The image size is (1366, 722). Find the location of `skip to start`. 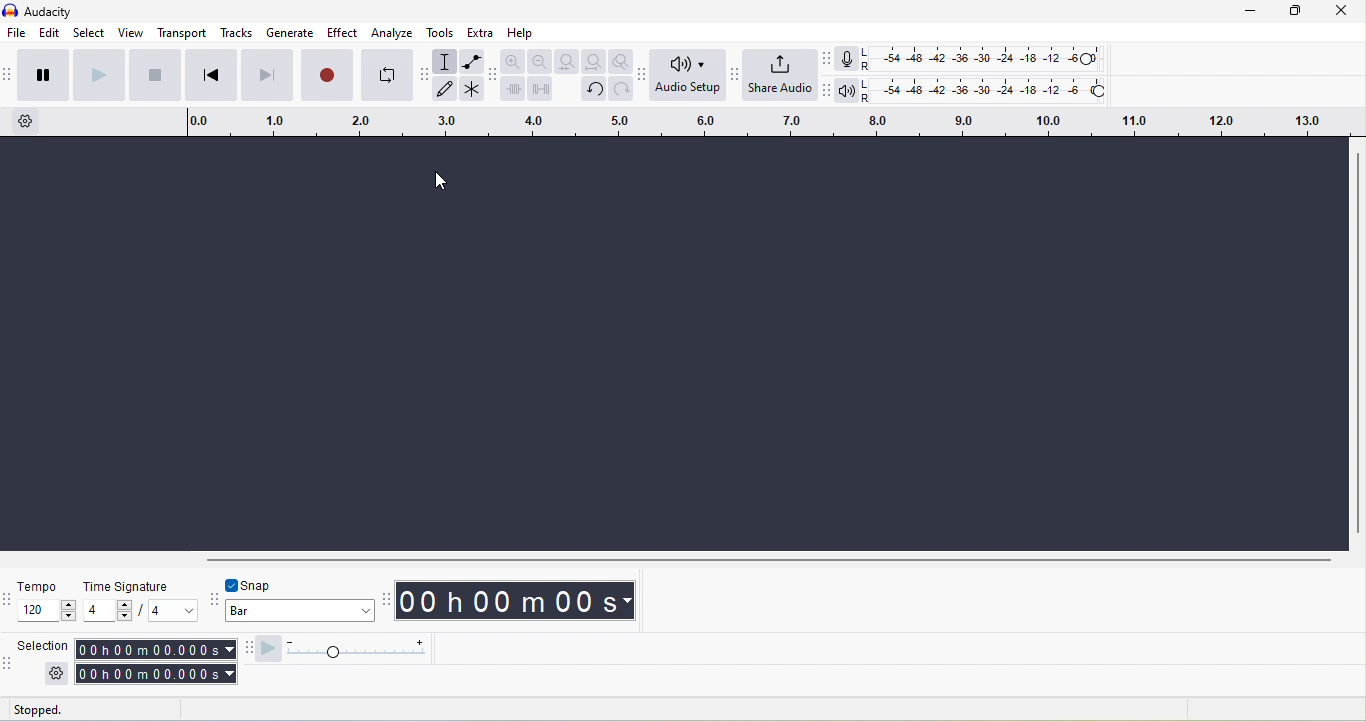

skip to start is located at coordinates (212, 73).